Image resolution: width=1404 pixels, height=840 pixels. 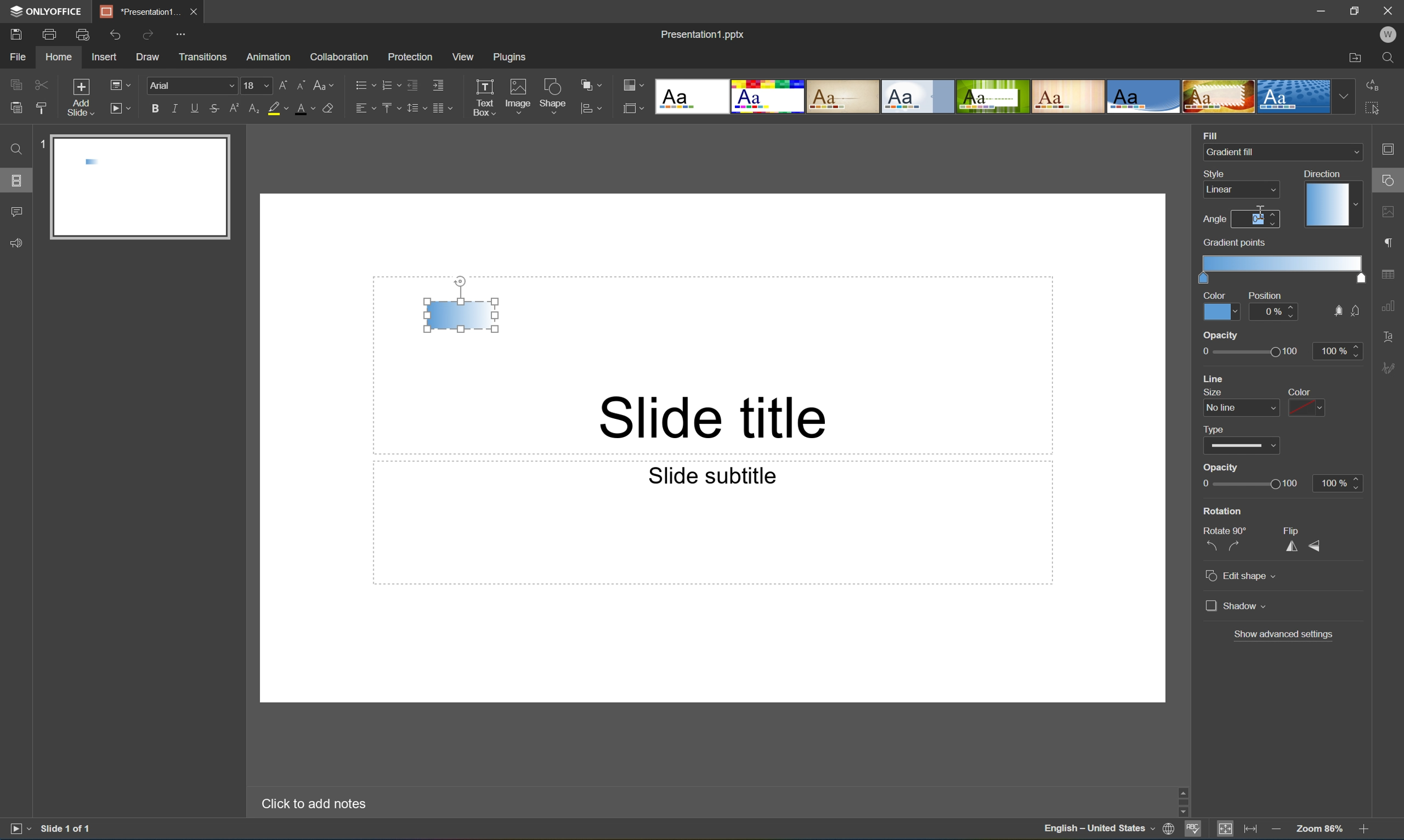 What do you see at coordinates (19, 181) in the screenshot?
I see `Slides` at bounding box center [19, 181].